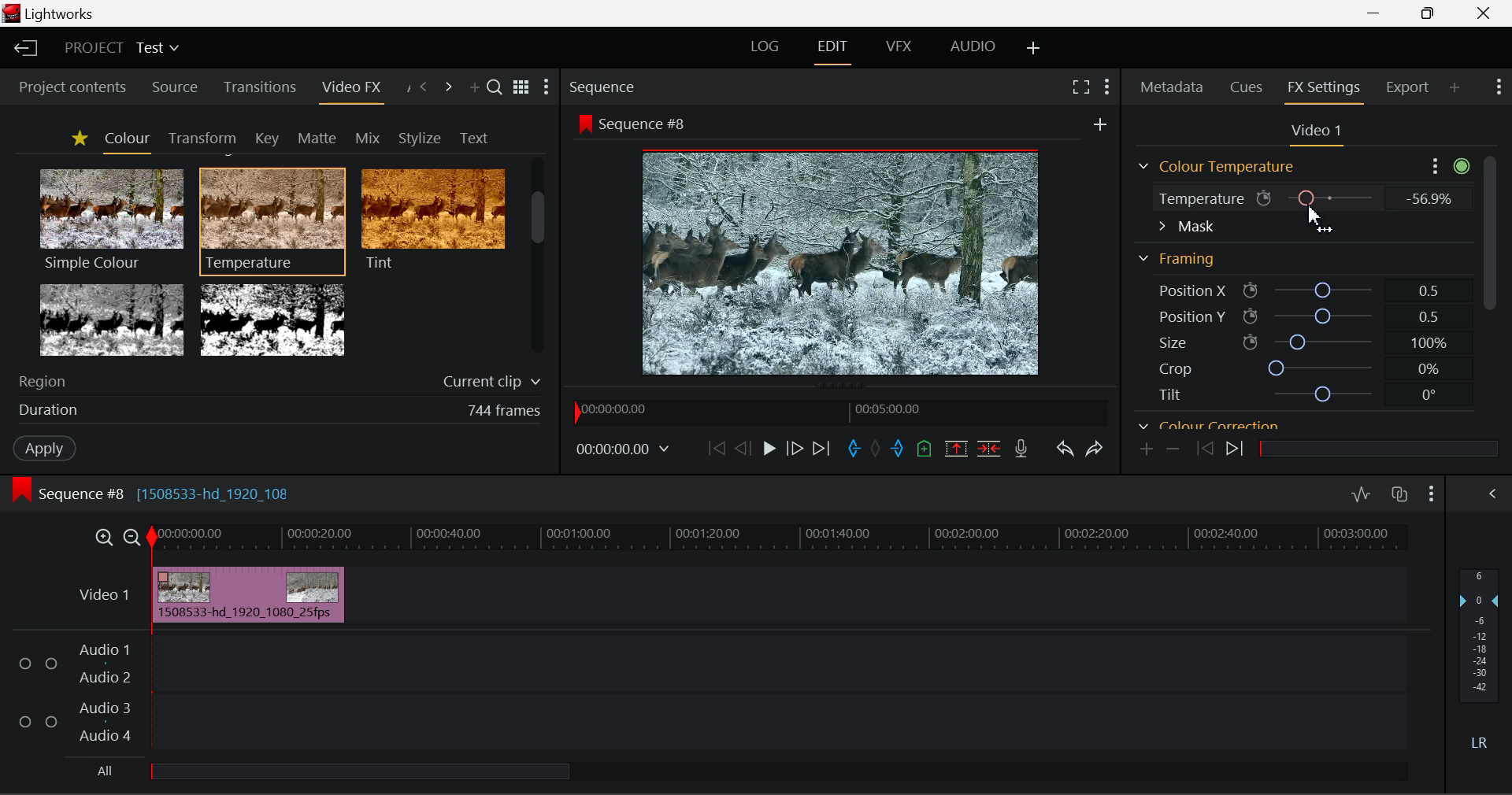 The height and width of the screenshot is (795, 1512). What do you see at coordinates (794, 449) in the screenshot?
I see `Go Forward` at bounding box center [794, 449].